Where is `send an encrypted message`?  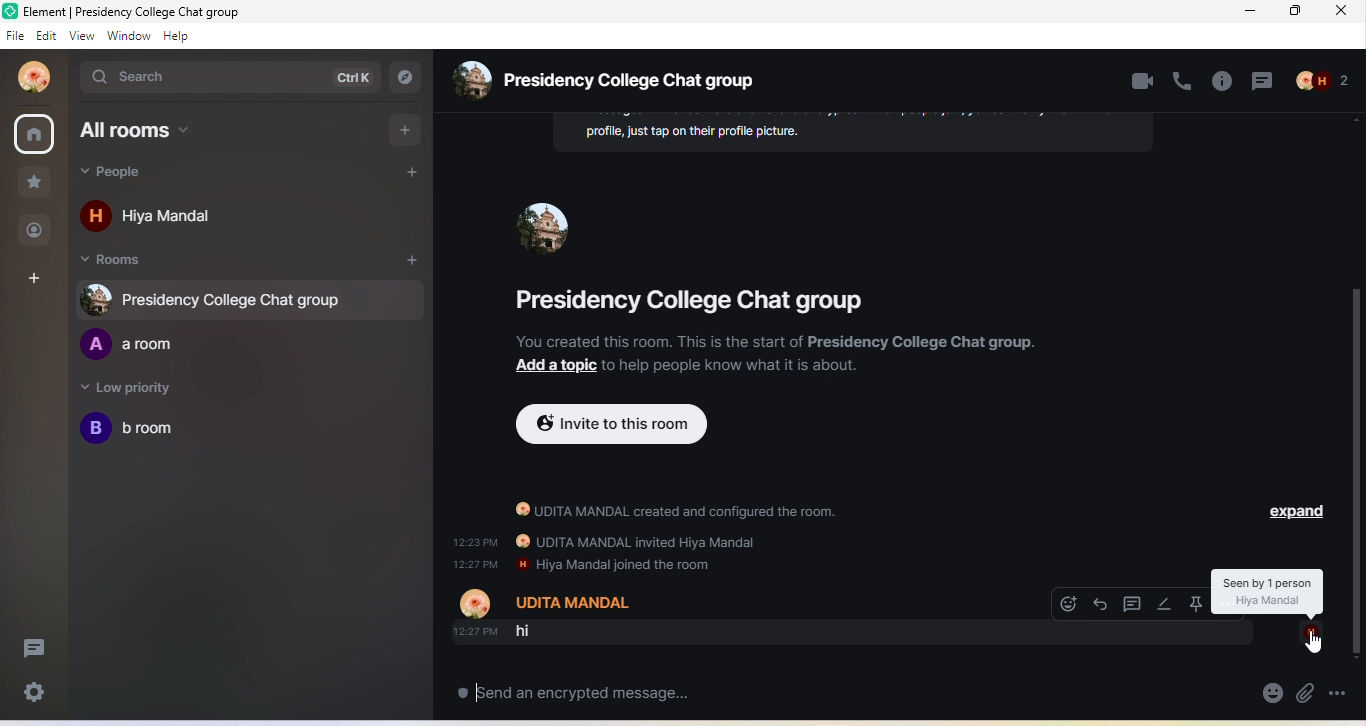
send an encrypted message is located at coordinates (607, 692).